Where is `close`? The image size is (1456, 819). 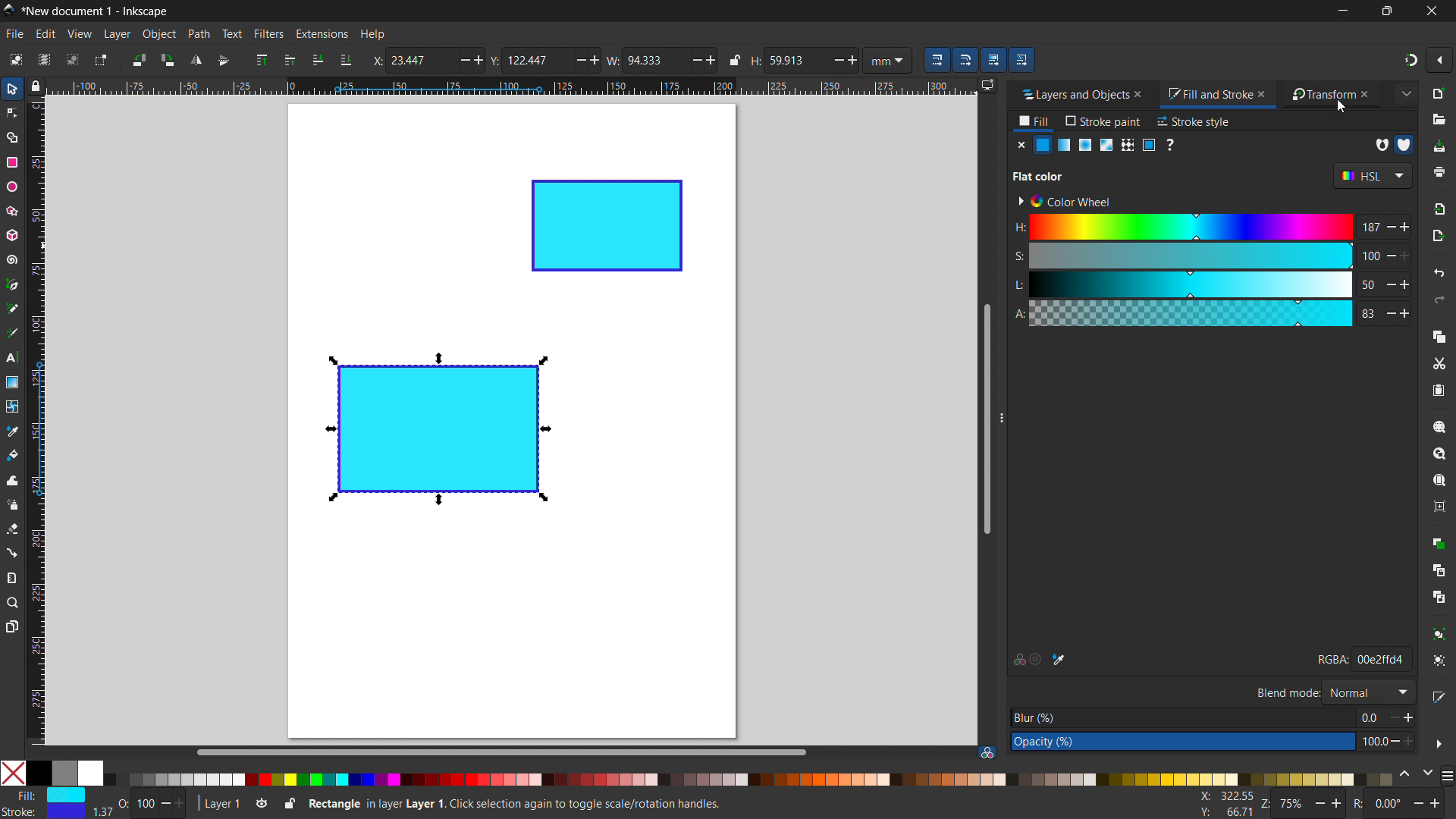
close is located at coordinates (1144, 94).